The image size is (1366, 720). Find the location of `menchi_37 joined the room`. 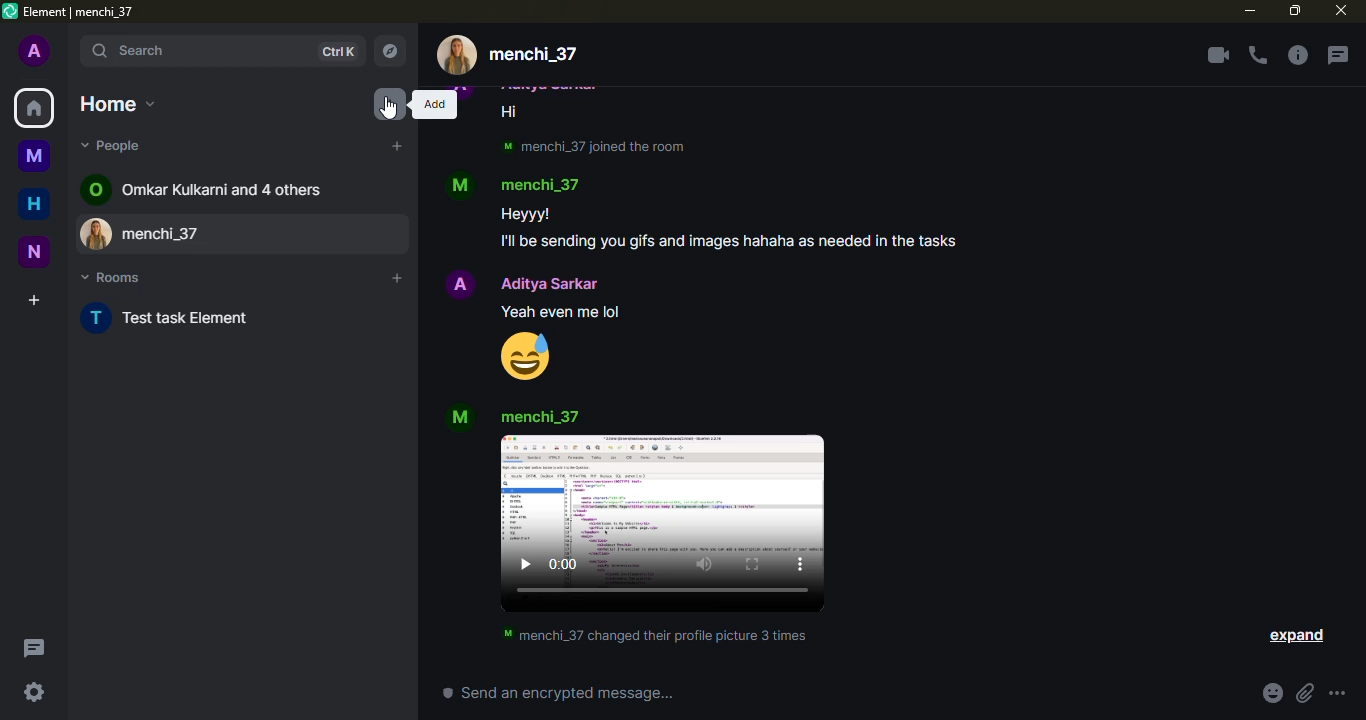

menchi_37 joined the room is located at coordinates (594, 147).